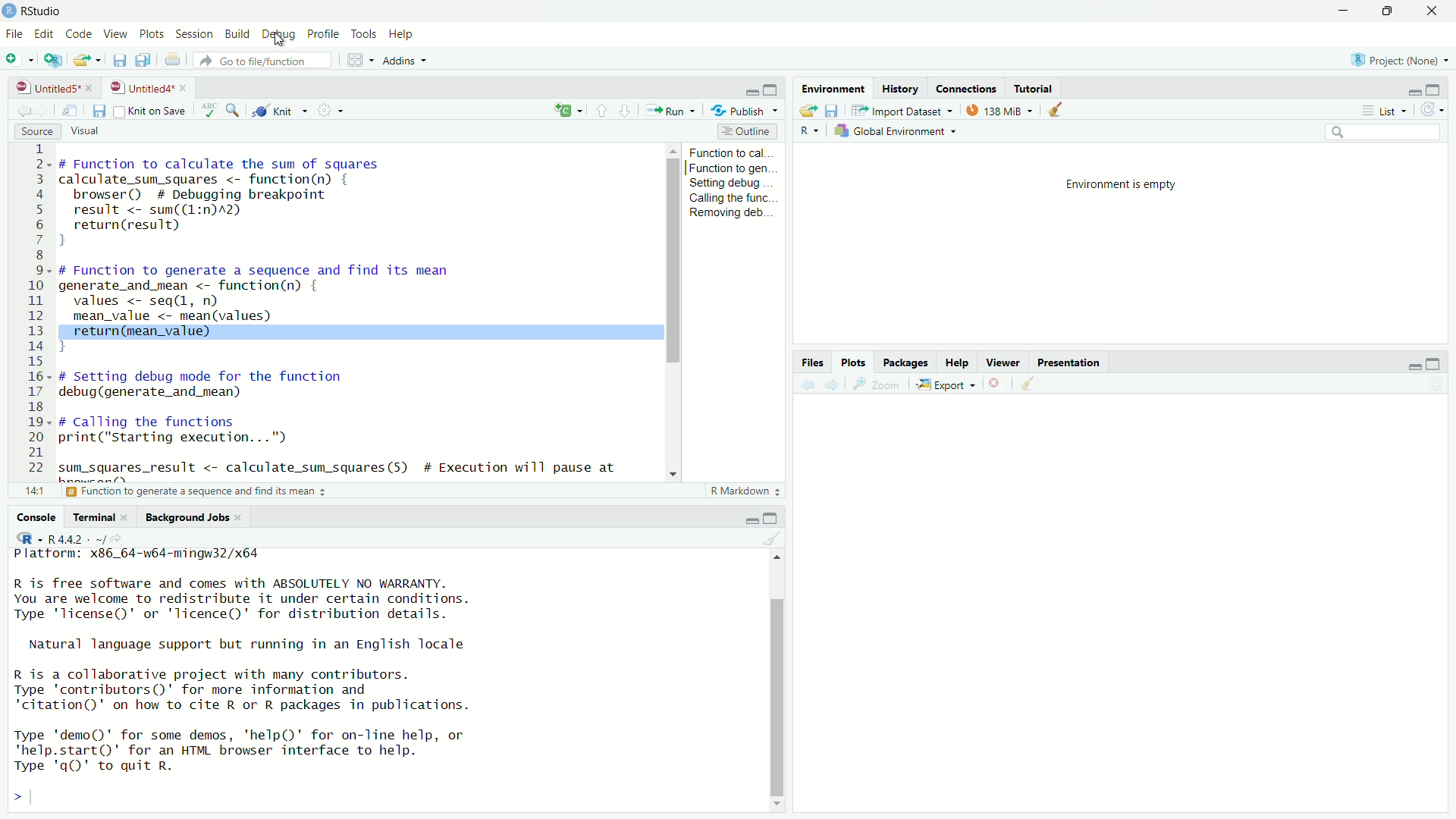 The width and height of the screenshot is (1456, 819). I want to click on clear console, so click(773, 537).